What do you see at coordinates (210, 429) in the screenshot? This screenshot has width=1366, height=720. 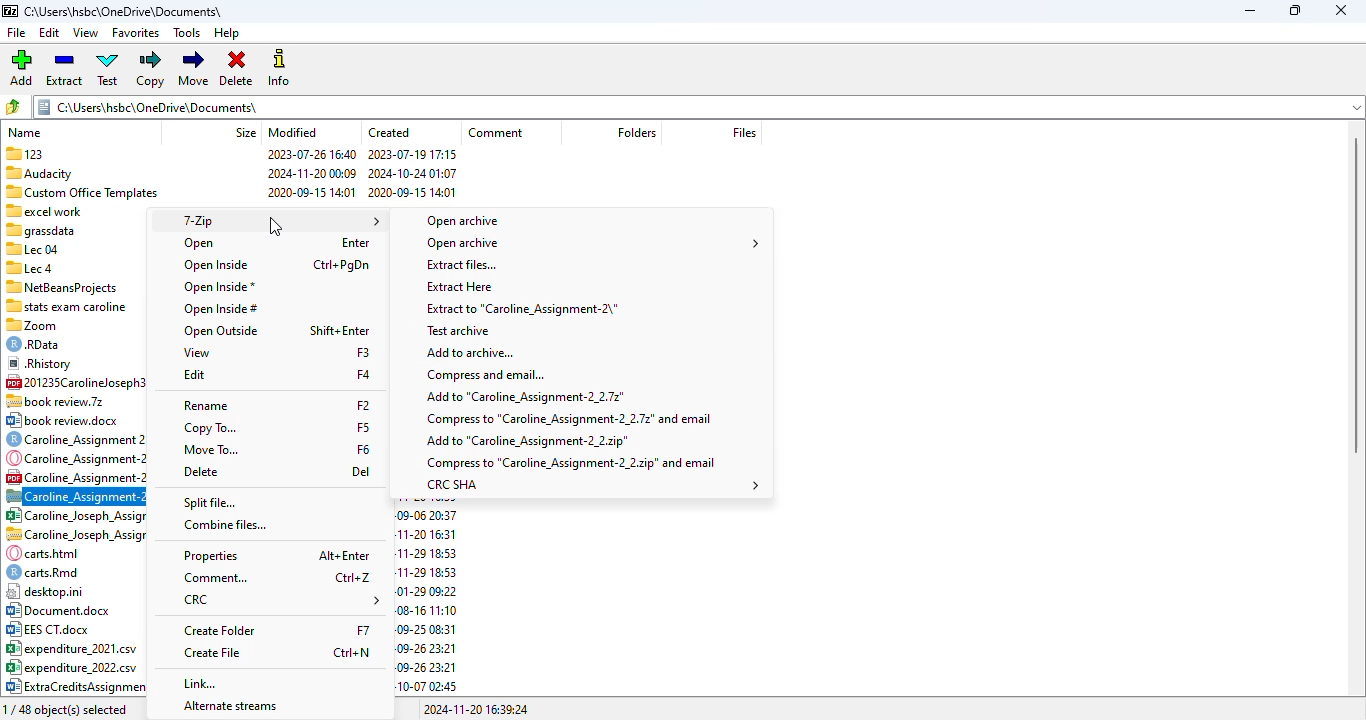 I see `copy to` at bounding box center [210, 429].